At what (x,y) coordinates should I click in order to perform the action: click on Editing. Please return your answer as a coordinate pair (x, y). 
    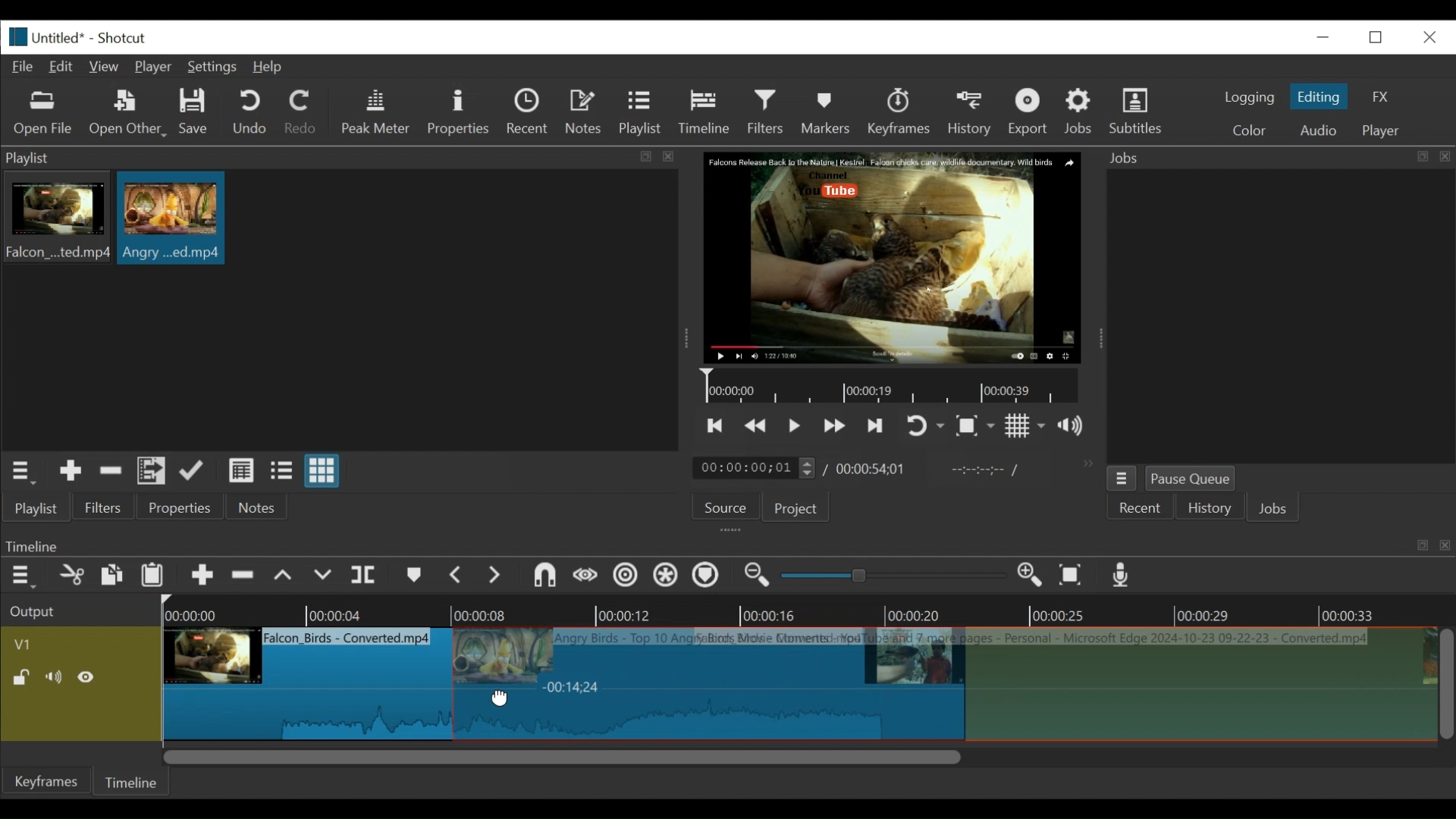
    Looking at the image, I should click on (1321, 96).